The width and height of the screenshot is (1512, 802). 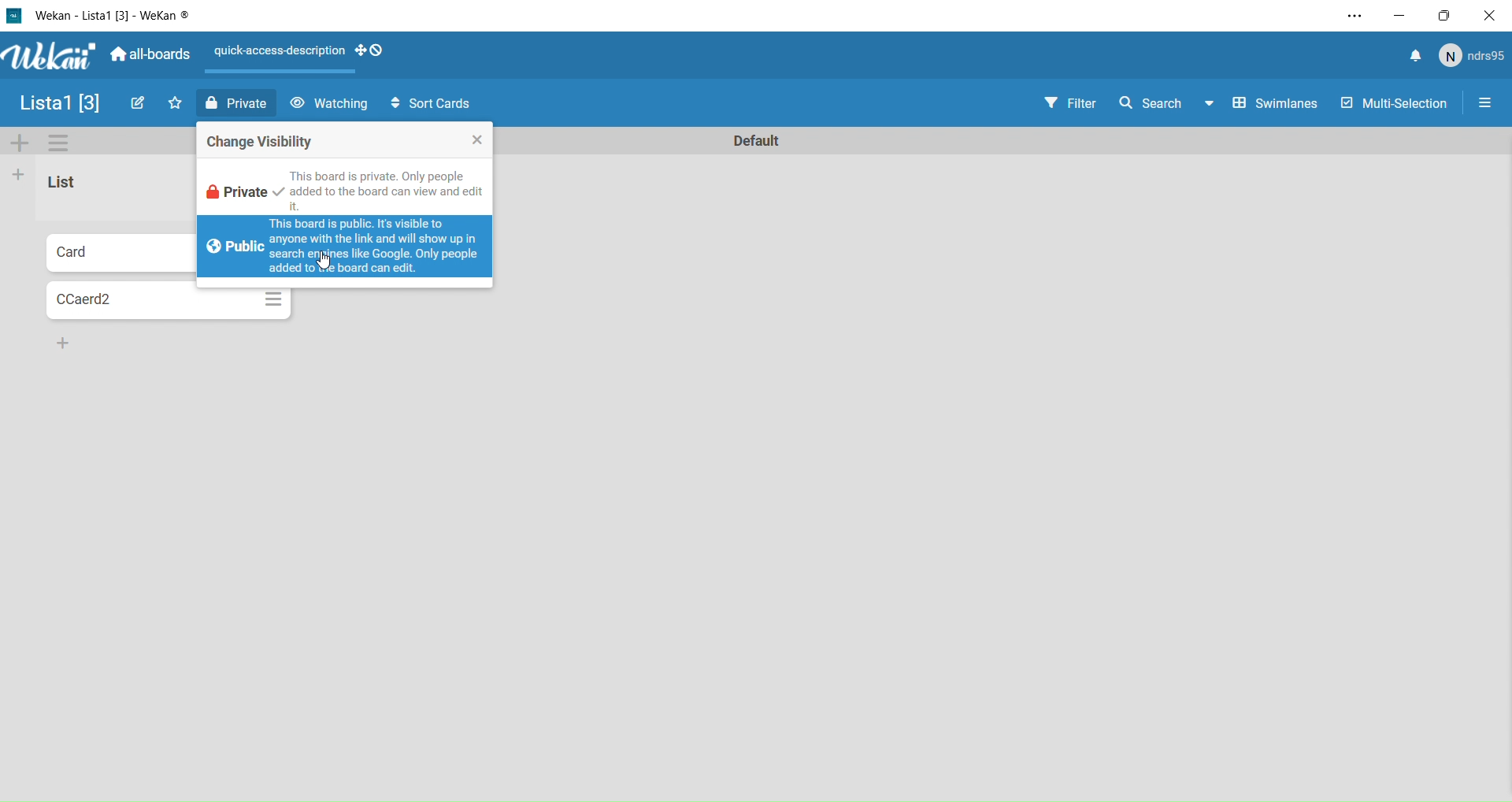 I want to click on QuickAcccesdescription, so click(x=279, y=54).